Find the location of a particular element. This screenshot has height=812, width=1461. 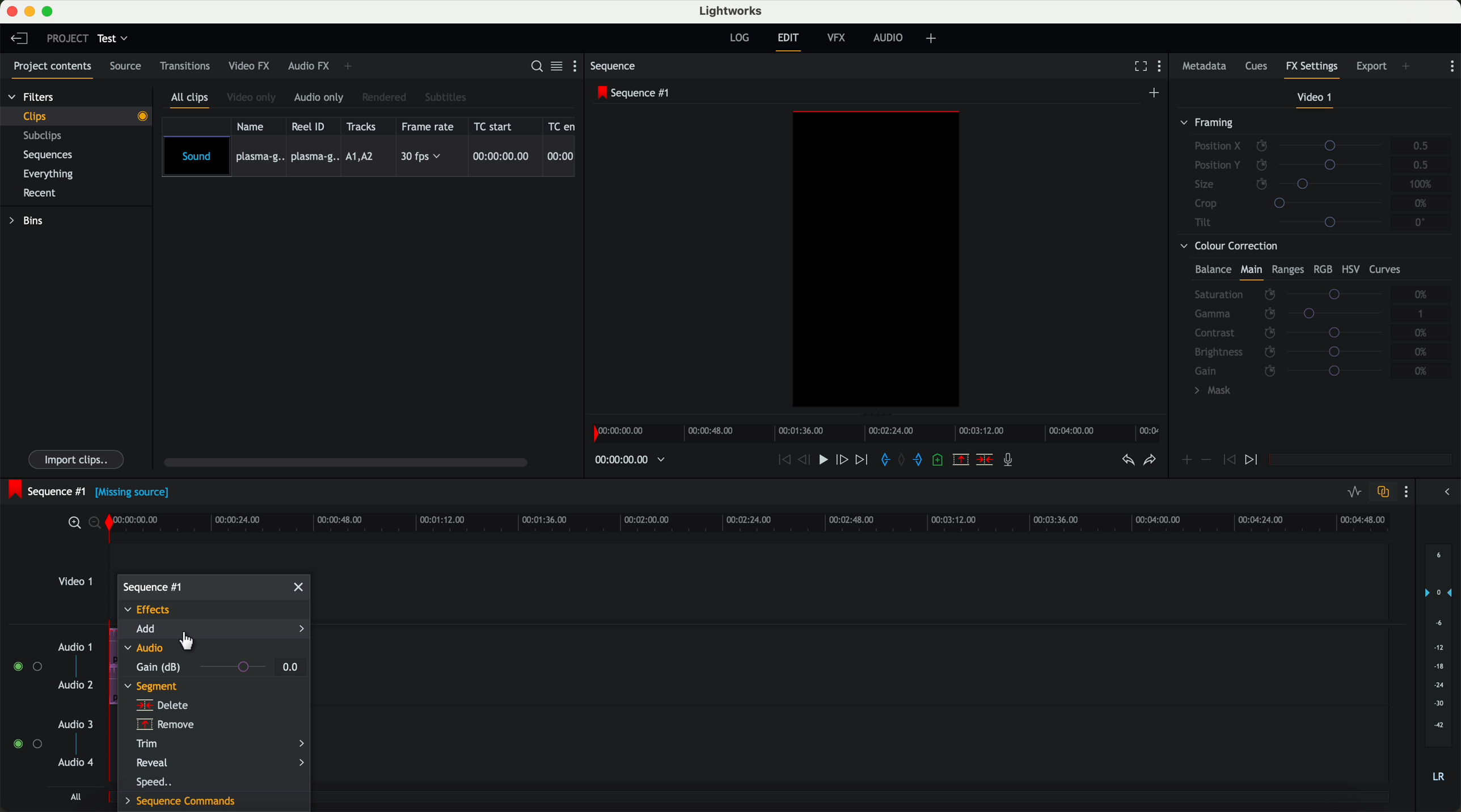

audio is located at coordinates (146, 650).